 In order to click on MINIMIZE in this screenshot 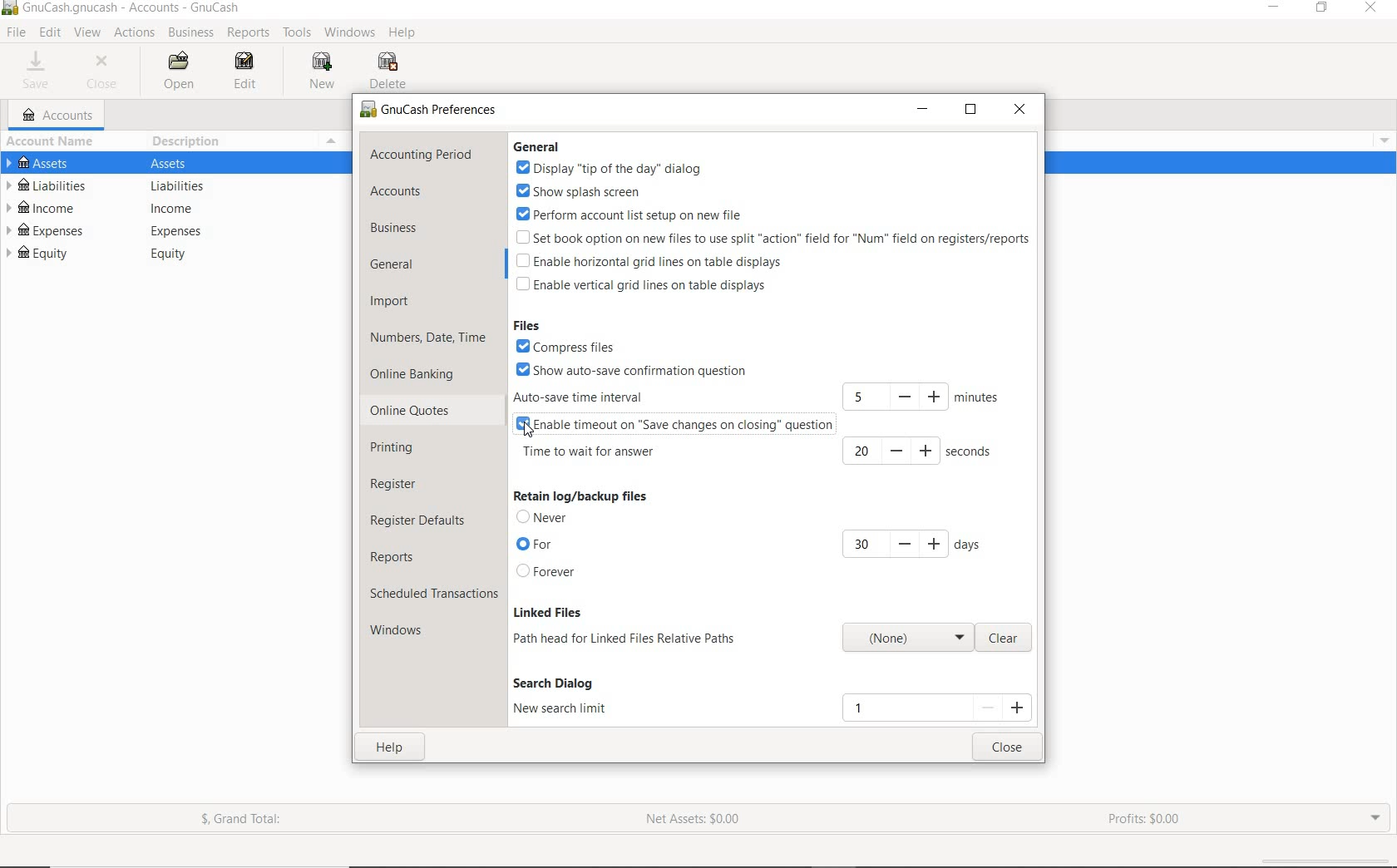, I will do `click(1276, 11)`.